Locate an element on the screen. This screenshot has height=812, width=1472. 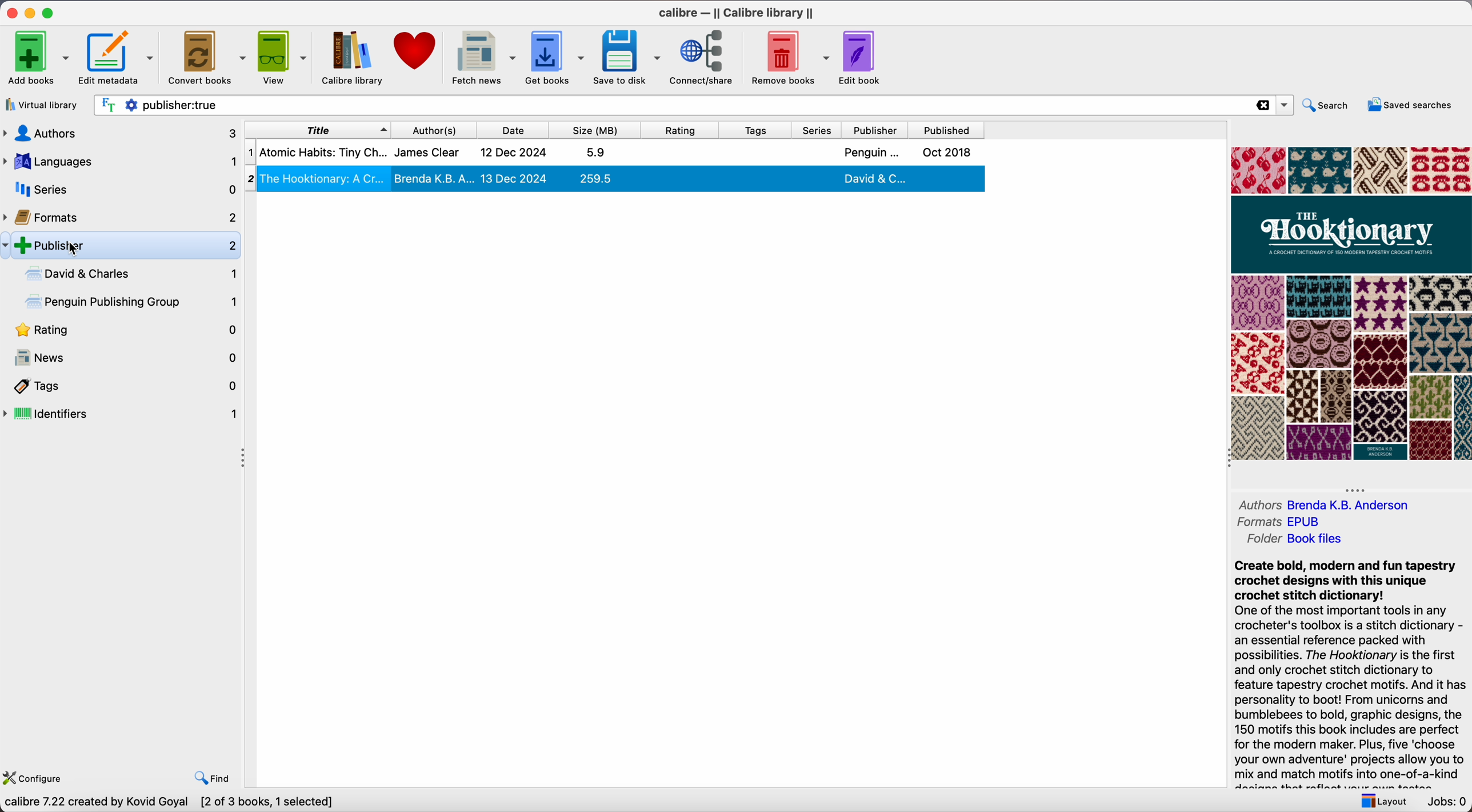
The Hooktionary is located at coordinates (615, 178).